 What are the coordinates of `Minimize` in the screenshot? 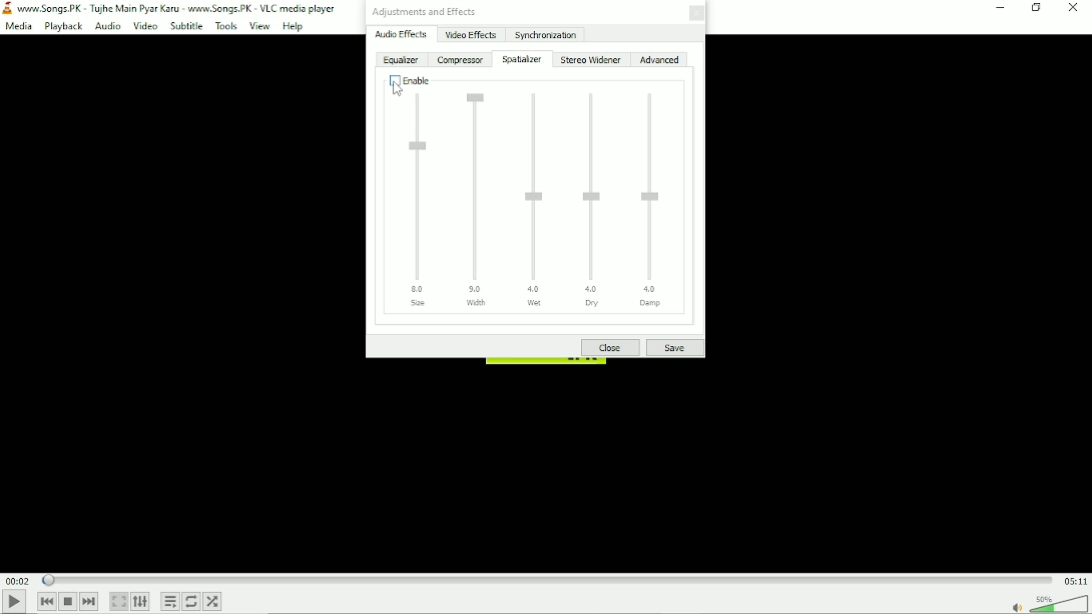 It's located at (1000, 9).